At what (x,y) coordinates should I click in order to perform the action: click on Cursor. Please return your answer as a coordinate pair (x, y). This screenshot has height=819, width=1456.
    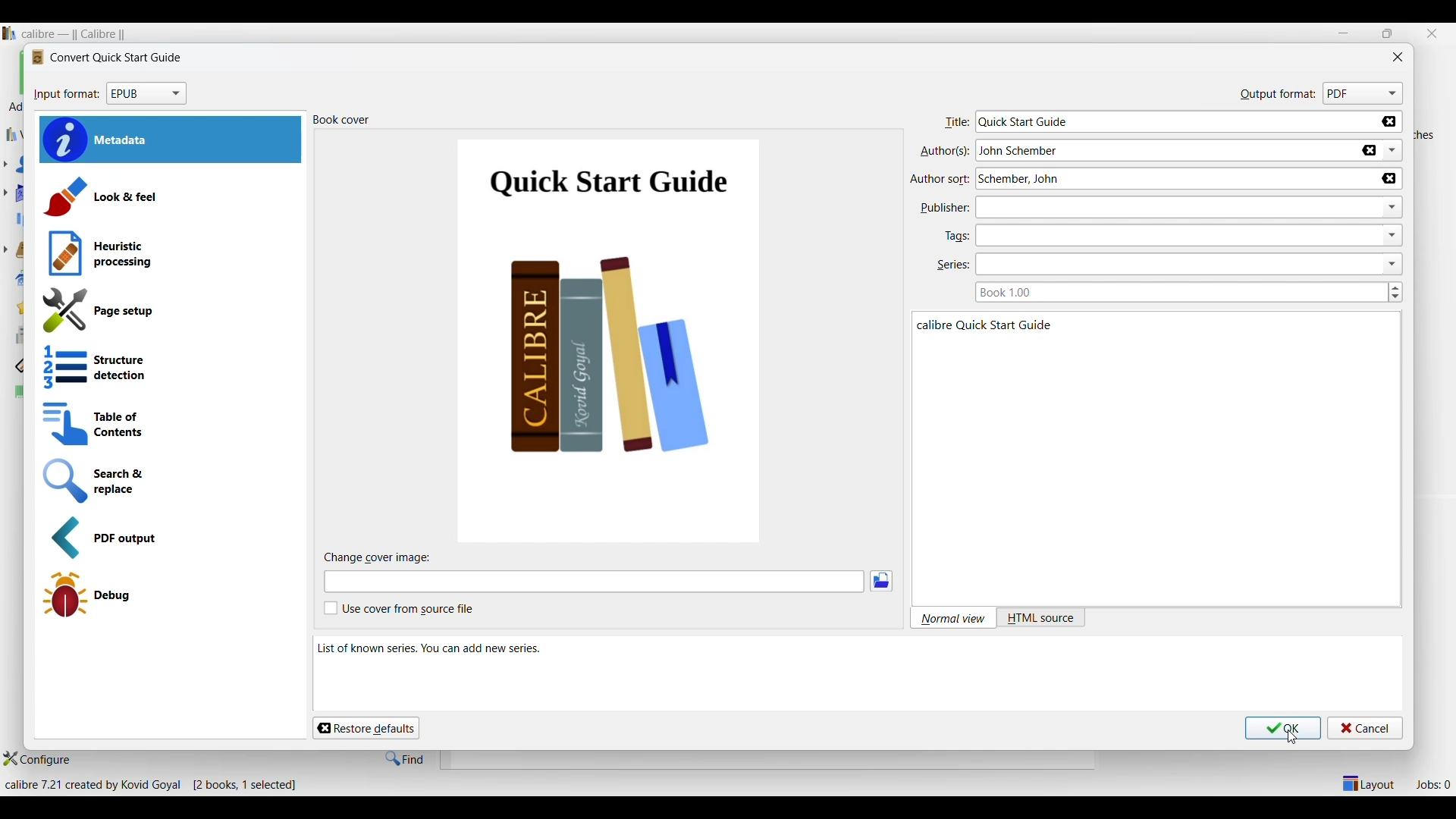
    Looking at the image, I should click on (1291, 738).